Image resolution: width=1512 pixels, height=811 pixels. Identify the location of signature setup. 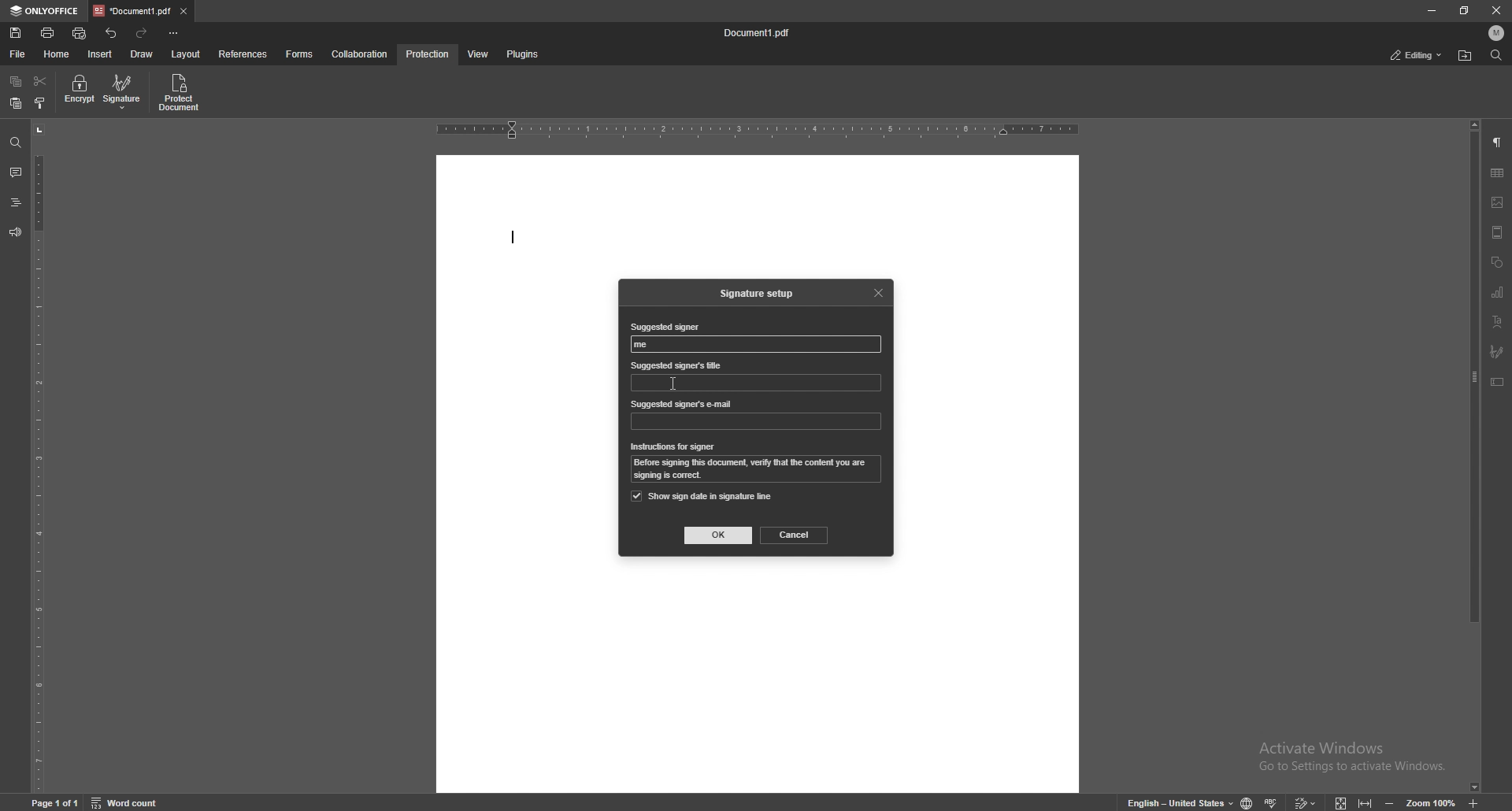
(760, 294).